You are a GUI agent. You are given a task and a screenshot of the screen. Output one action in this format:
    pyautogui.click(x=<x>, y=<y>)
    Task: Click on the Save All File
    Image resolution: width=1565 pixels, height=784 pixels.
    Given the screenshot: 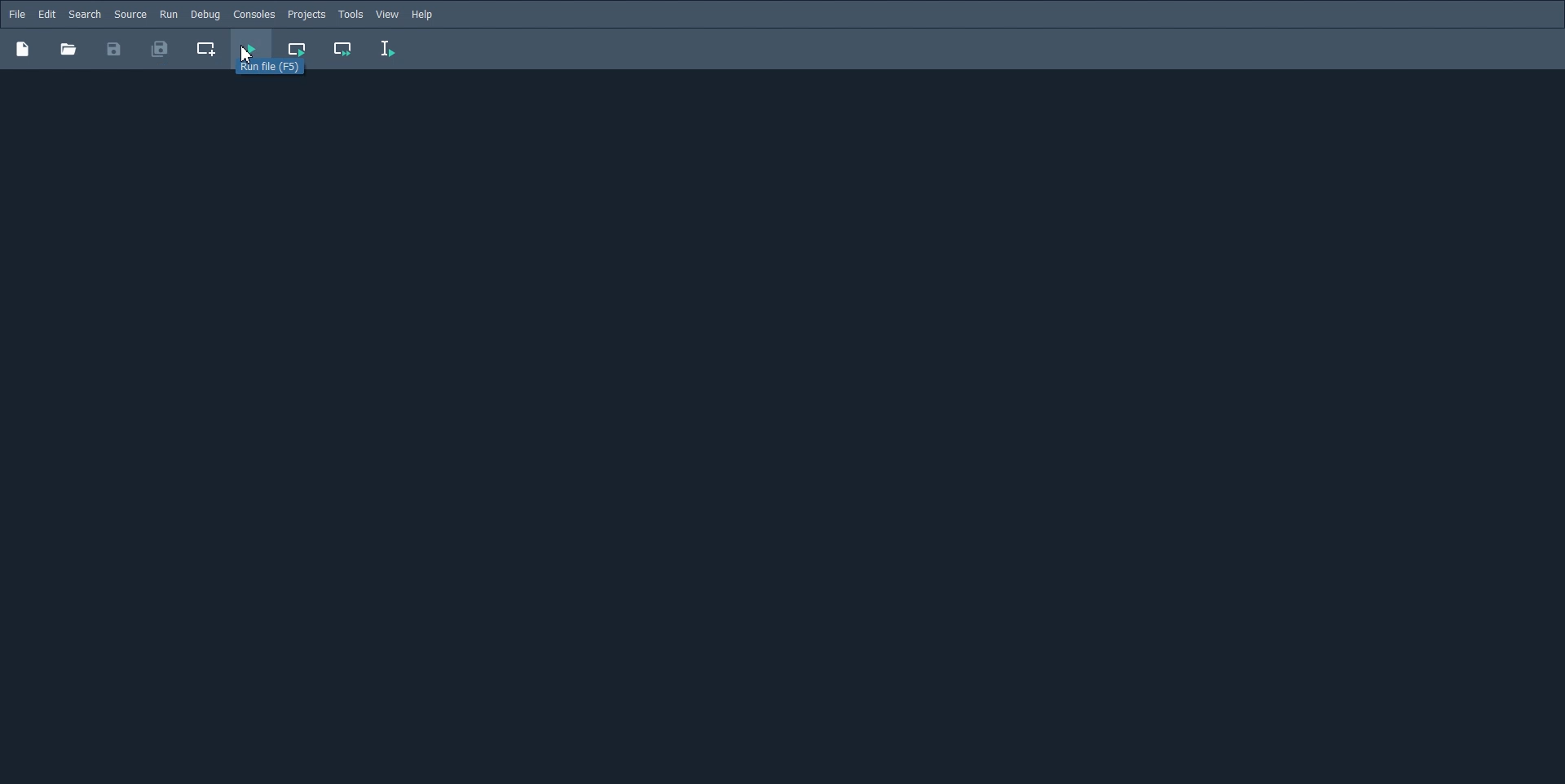 What is the action you would take?
    pyautogui.click(x=158, y=49)
    